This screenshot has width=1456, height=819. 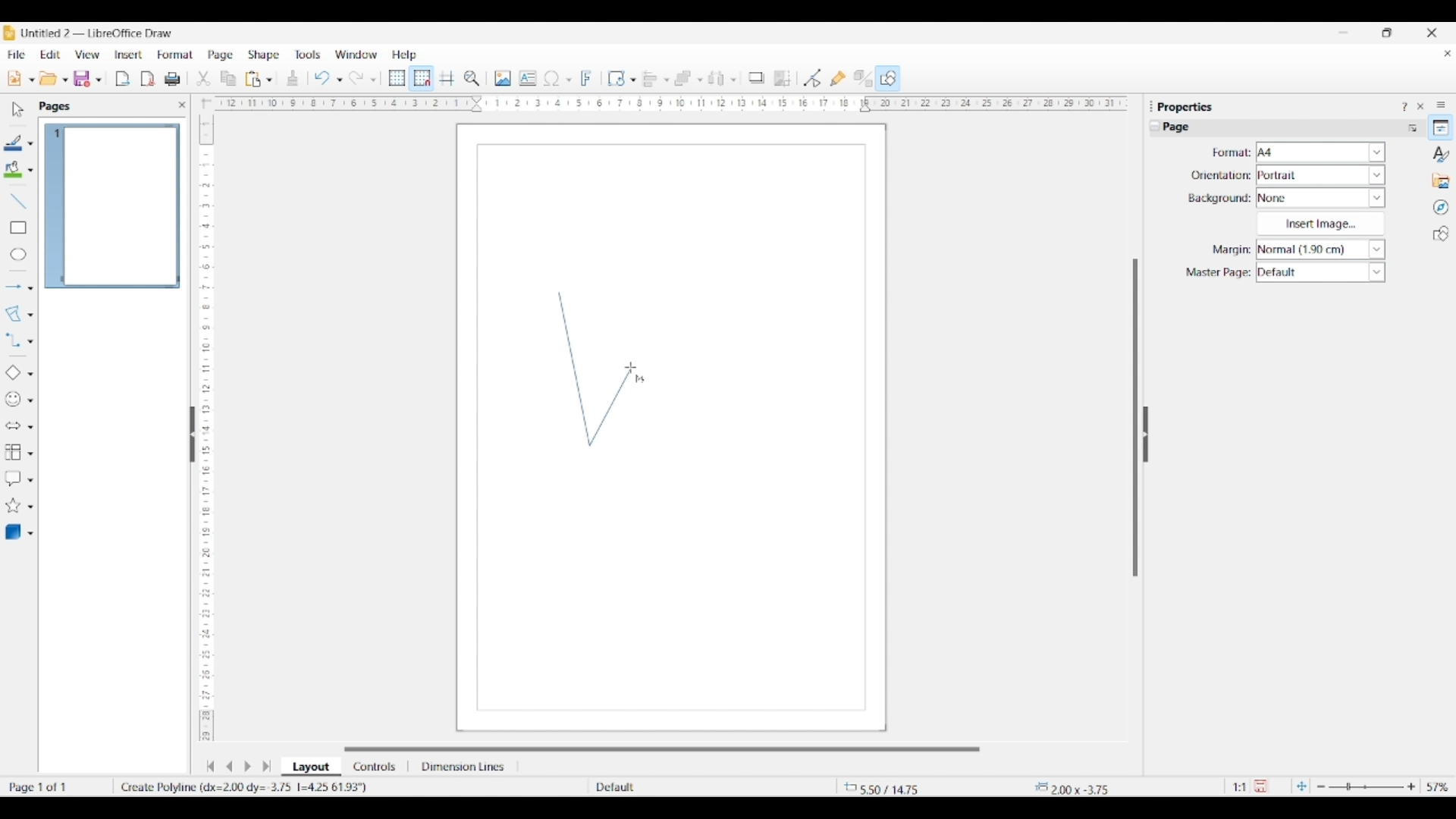 I want to click on Project and software name, so click(x=98, y=33).